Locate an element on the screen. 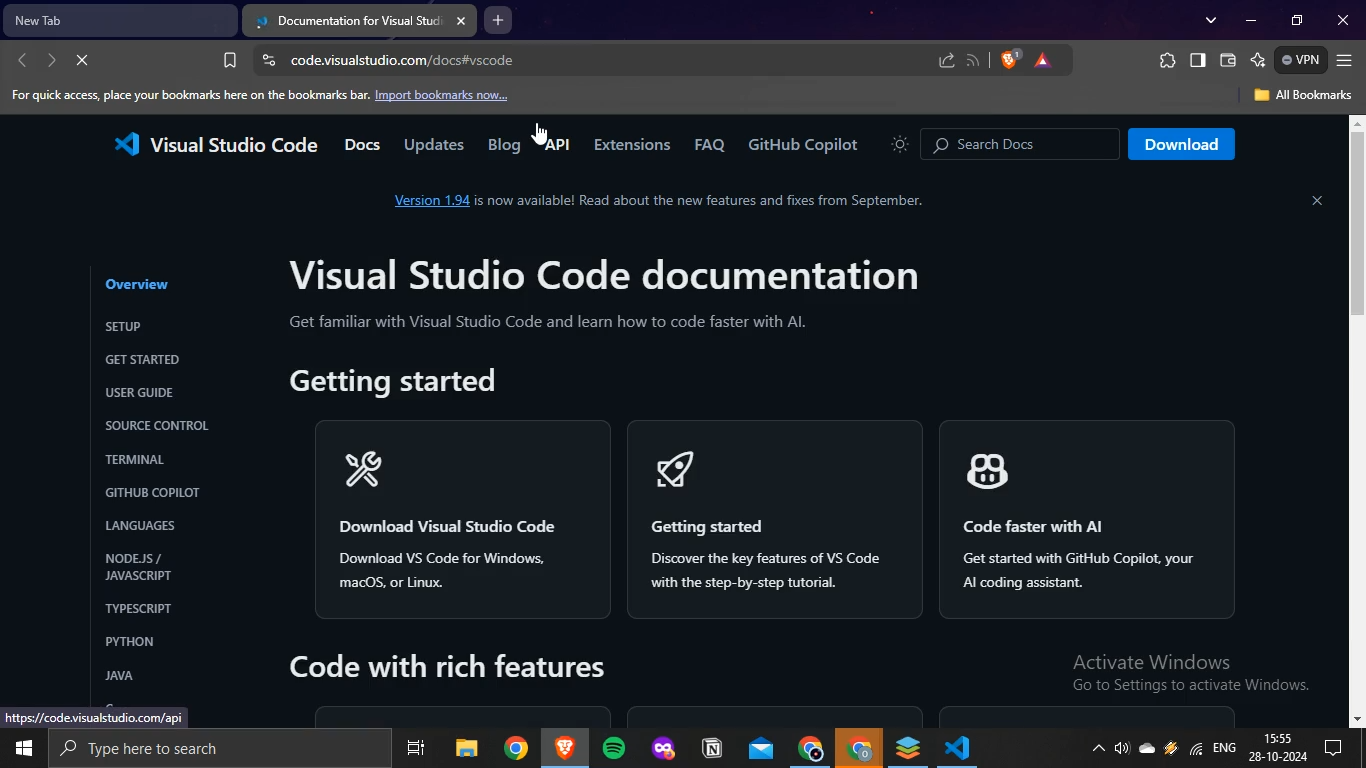 This screenshot has height=768, width=1366. minimize is located at coordinates (1248, 20).